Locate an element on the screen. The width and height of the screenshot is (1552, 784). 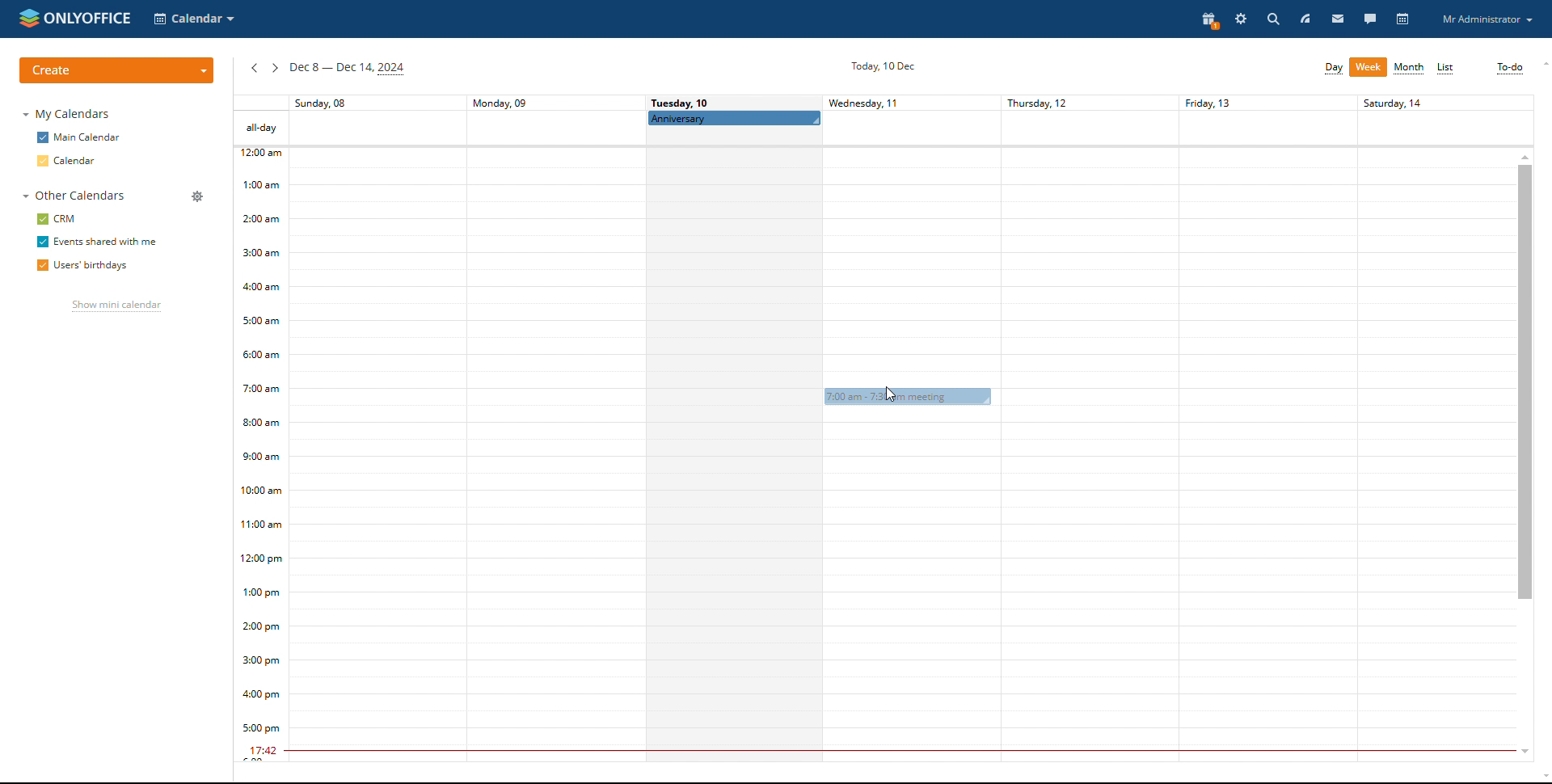
days is located at coordinates (883, 103).